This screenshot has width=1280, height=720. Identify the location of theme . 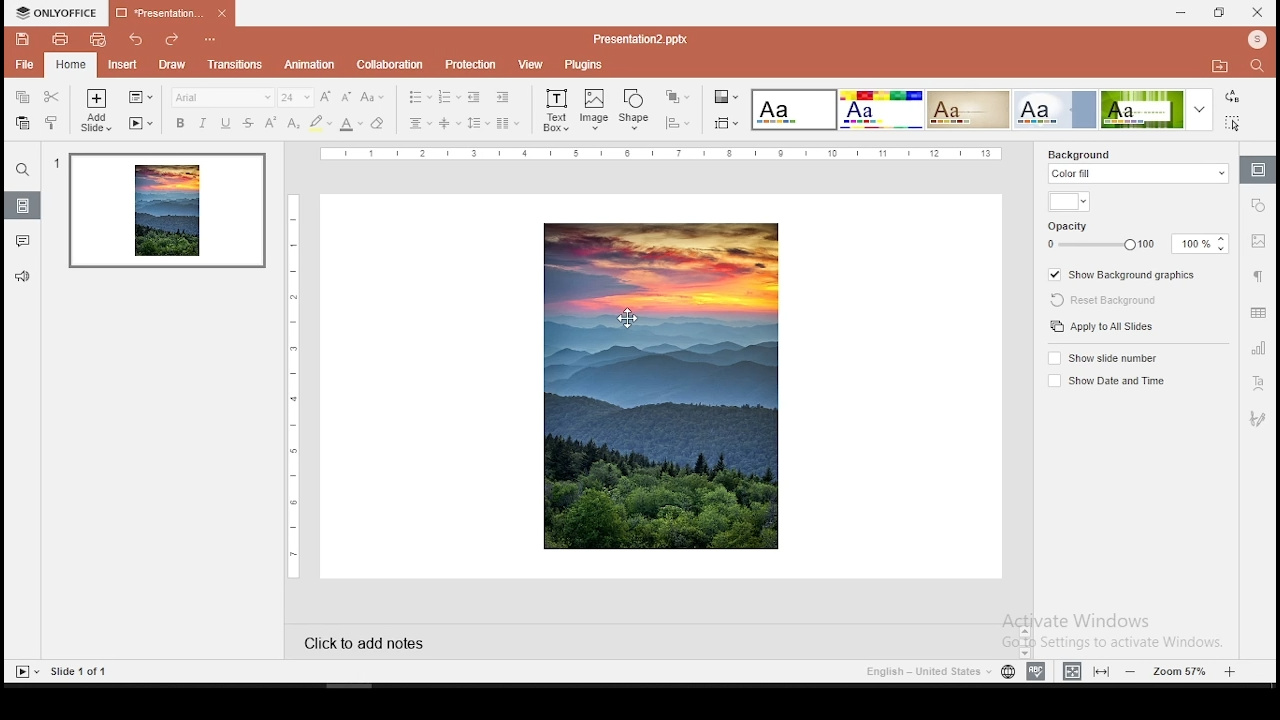
(1056, 109).